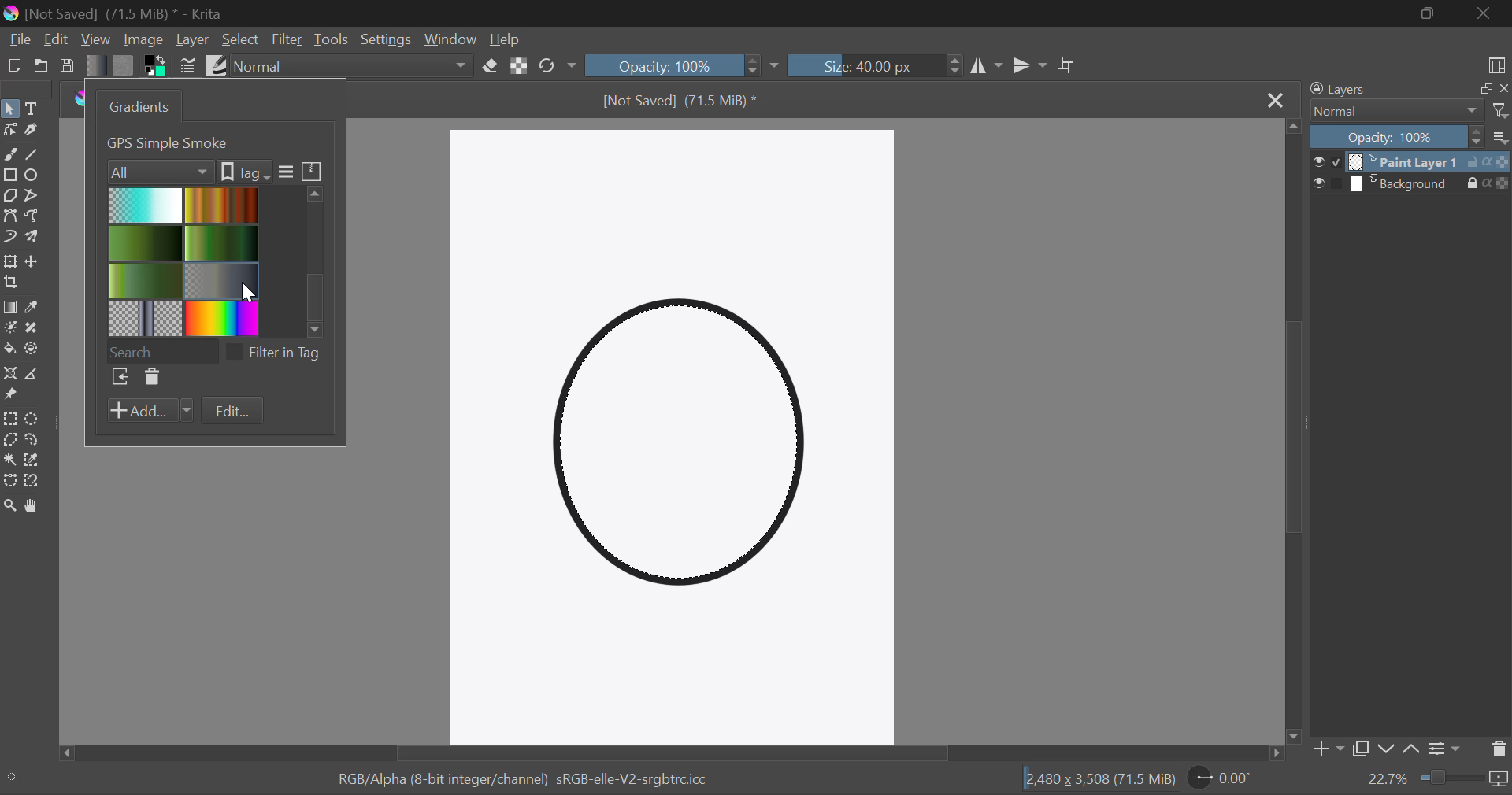  I want to click on Opacity, so click(674, 65).